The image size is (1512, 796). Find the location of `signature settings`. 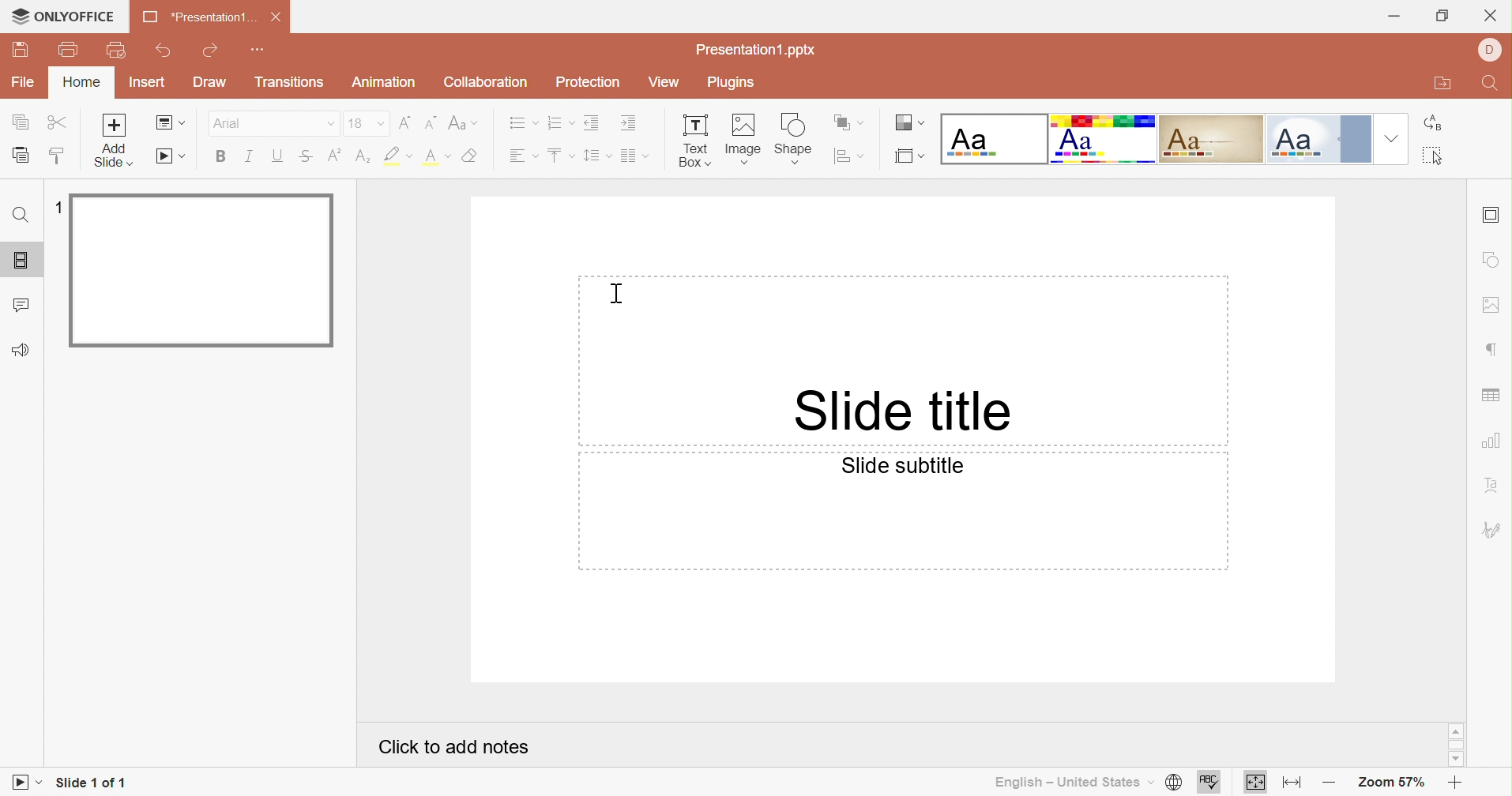

signature settings is located at coordinates (1494, 531).